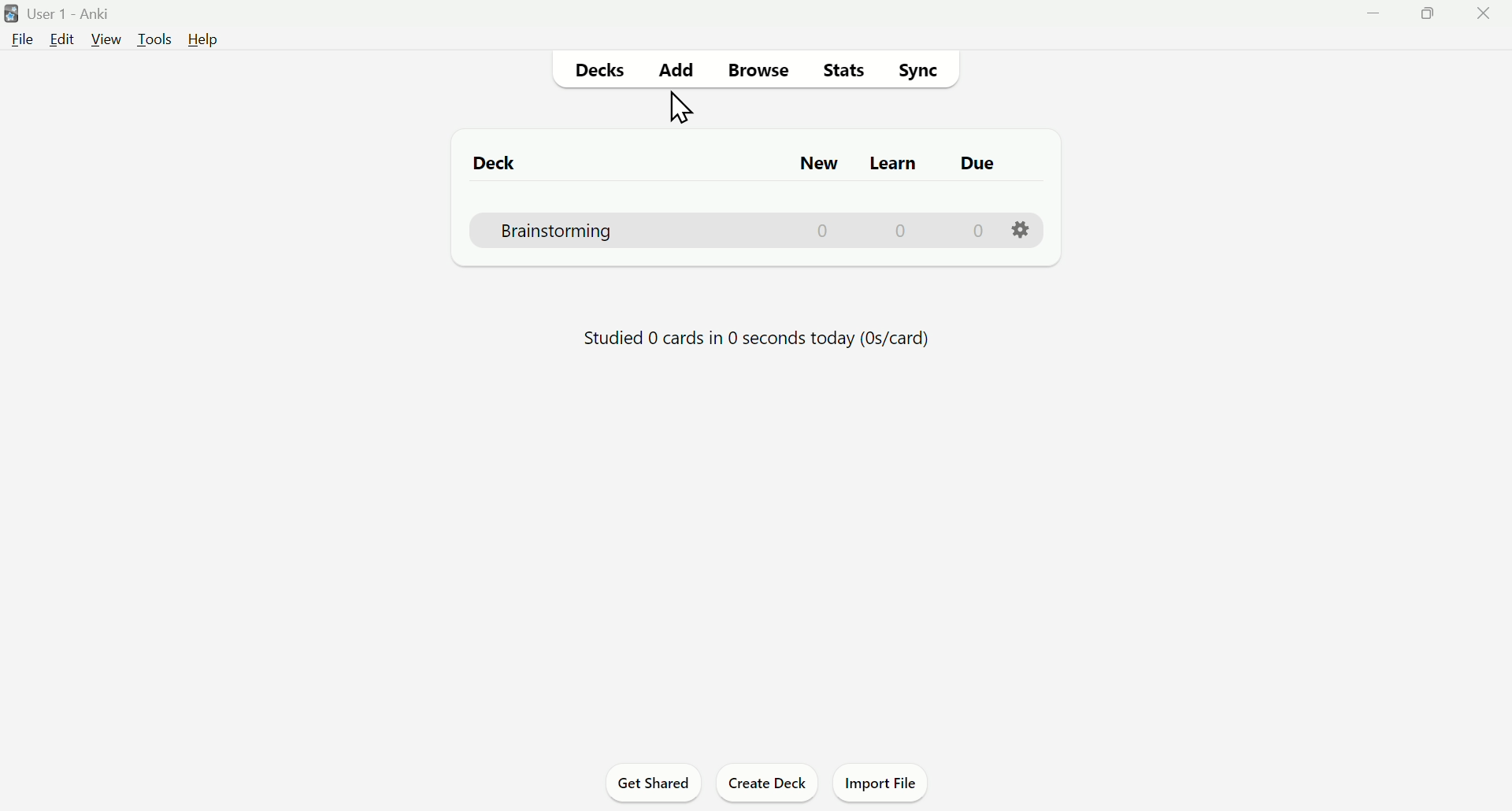  Describe the element at coordinates (207, 39) in the screenshot. I see `` at that location.